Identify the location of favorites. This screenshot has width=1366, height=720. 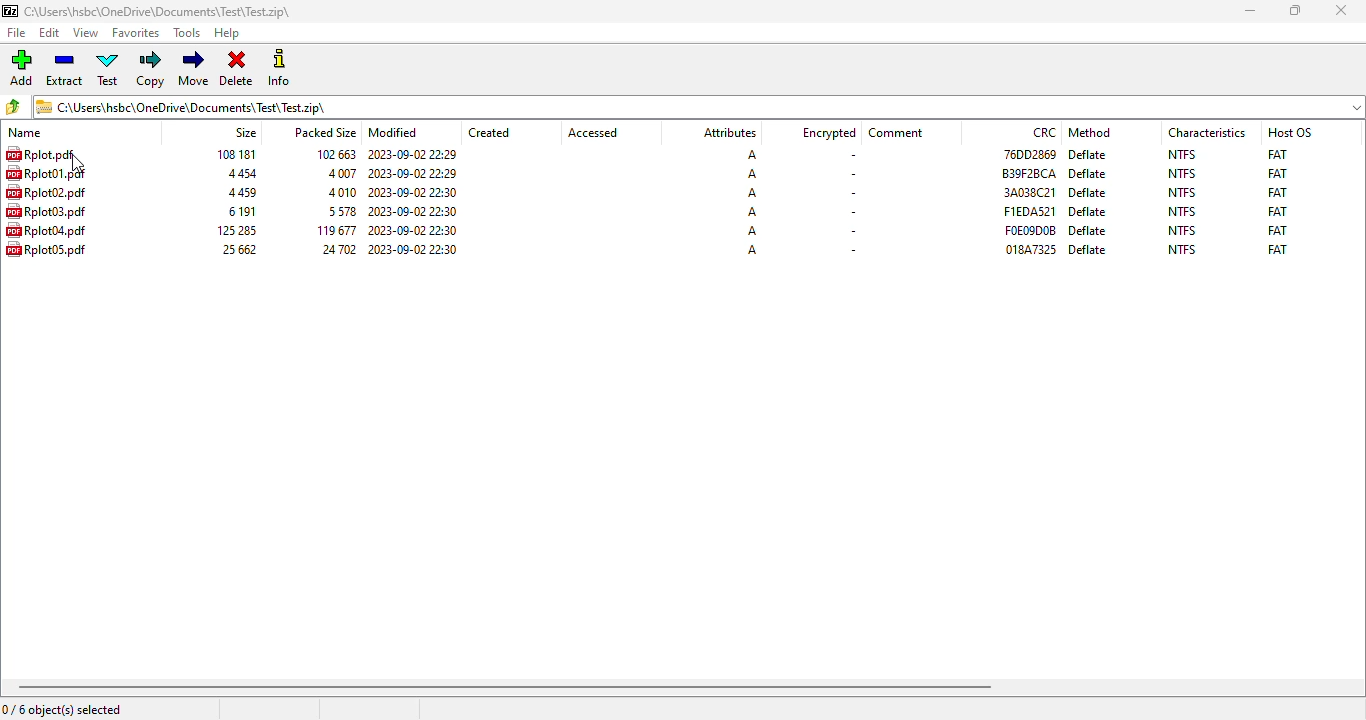
(136, 33).